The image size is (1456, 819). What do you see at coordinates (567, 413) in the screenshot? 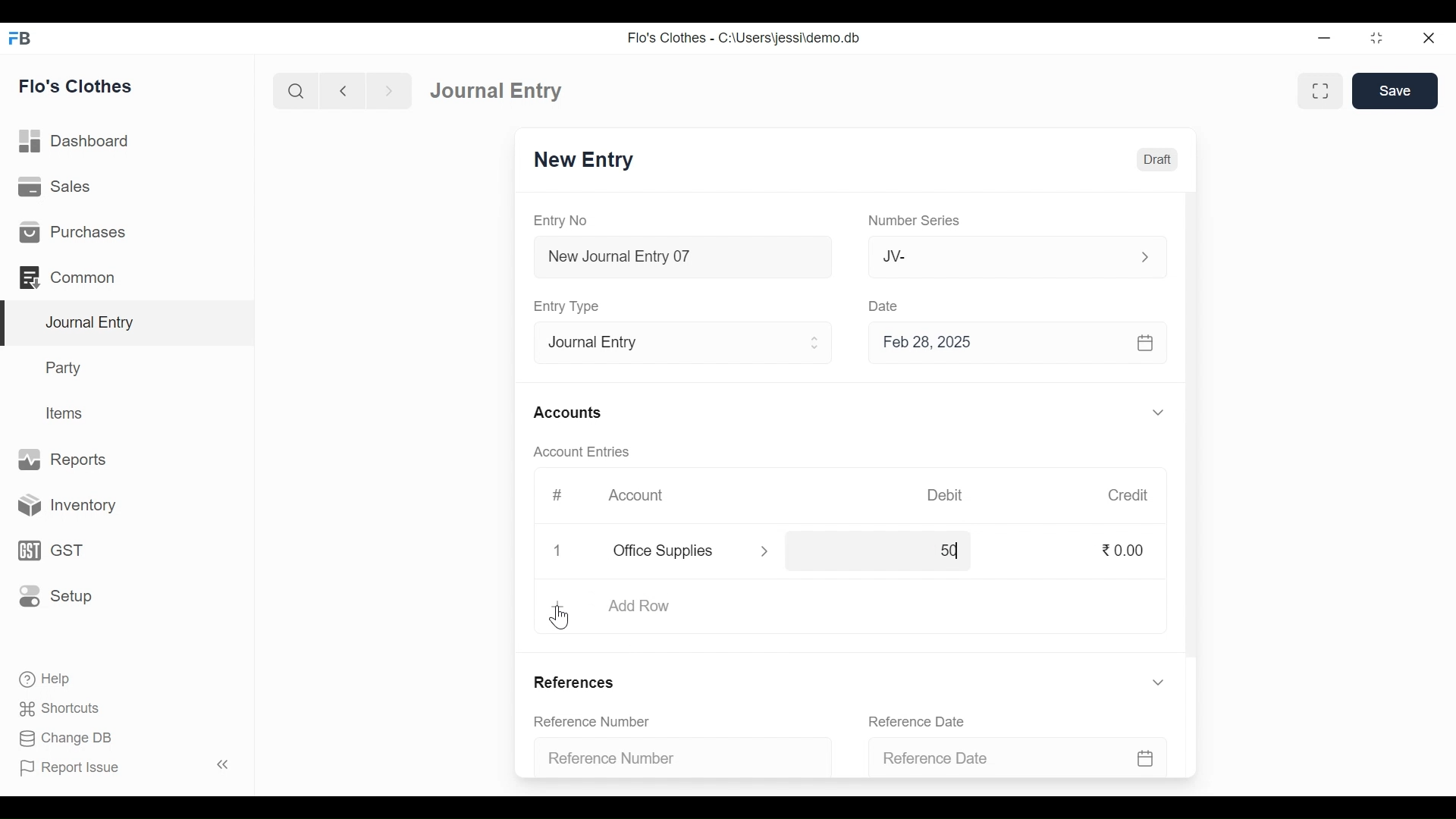
I see `Accounts` at bounding box center [567, 413].